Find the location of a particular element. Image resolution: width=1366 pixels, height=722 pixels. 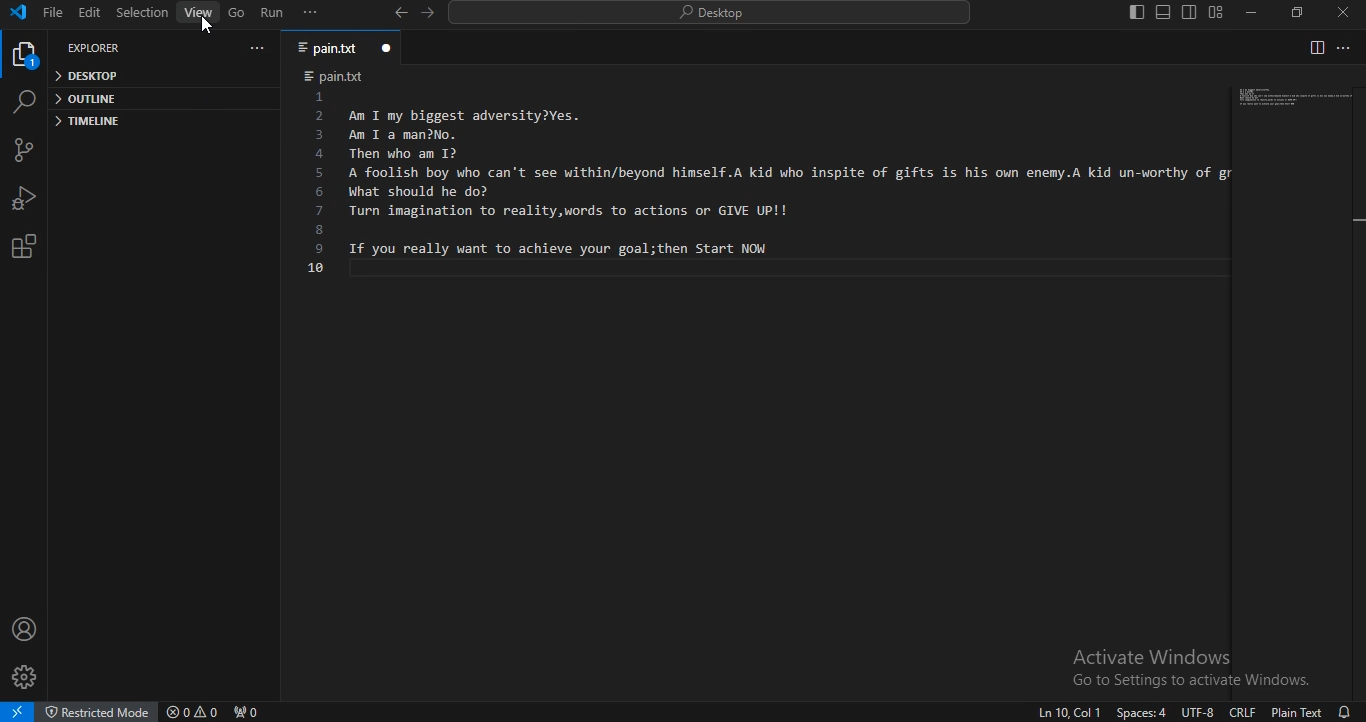

pain.txt is located at coordinates (341, 48).